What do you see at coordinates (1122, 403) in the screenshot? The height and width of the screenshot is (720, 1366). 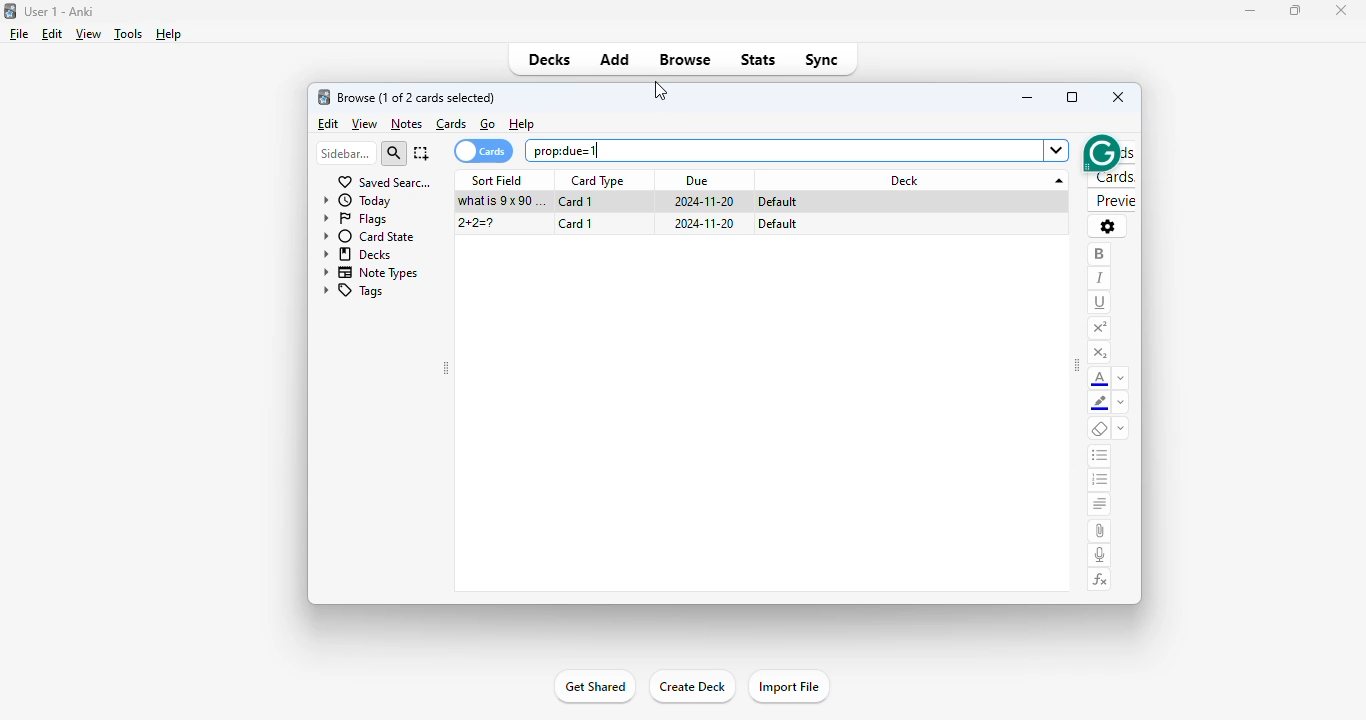 I see `change color` at bounding box center [1122, 403].